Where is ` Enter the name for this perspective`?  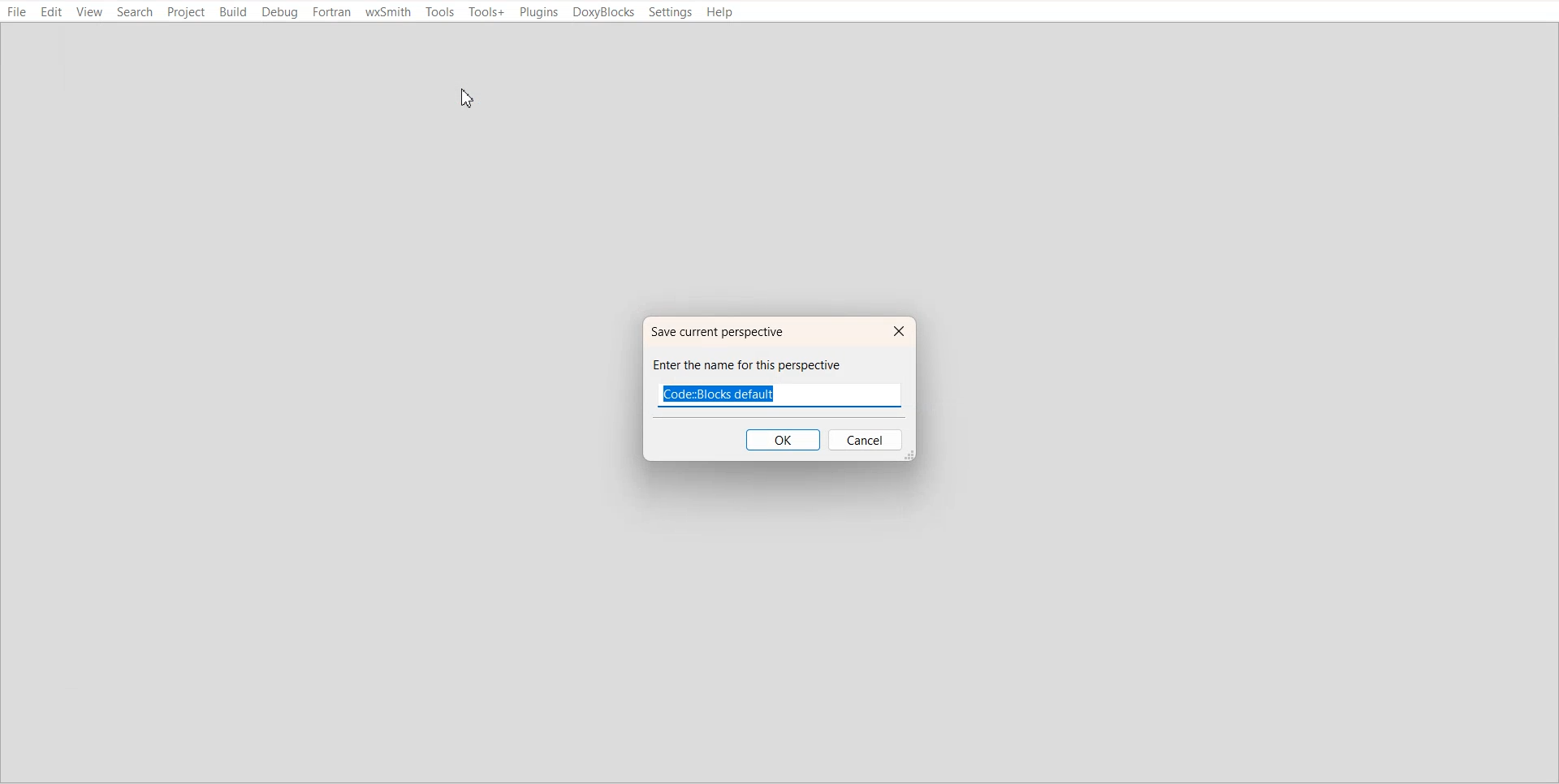
 Enter the name for this perspective is located at coordinates (762, 364).